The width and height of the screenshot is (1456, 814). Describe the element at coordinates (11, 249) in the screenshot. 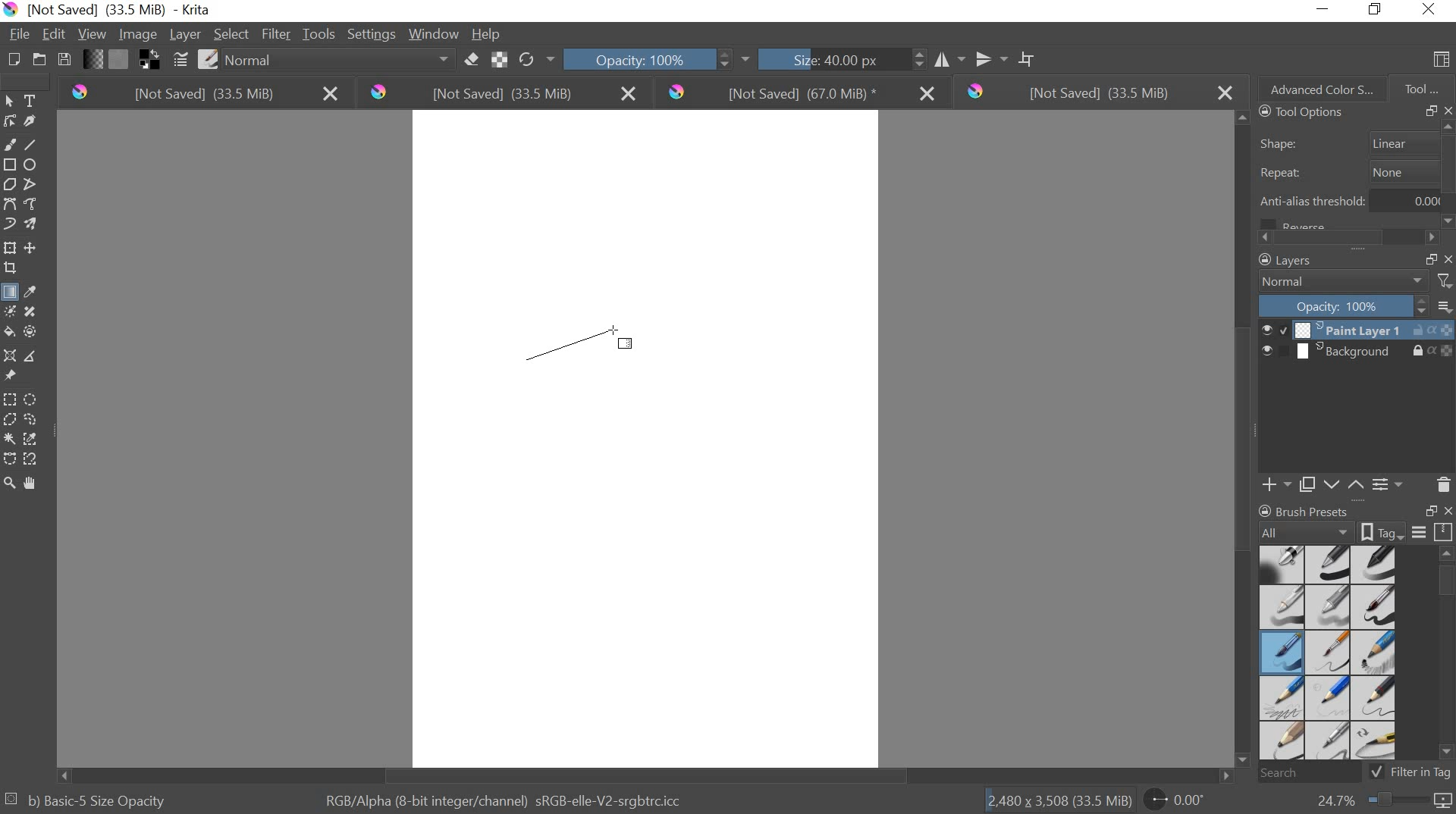

I see `tranform layer` at that location.